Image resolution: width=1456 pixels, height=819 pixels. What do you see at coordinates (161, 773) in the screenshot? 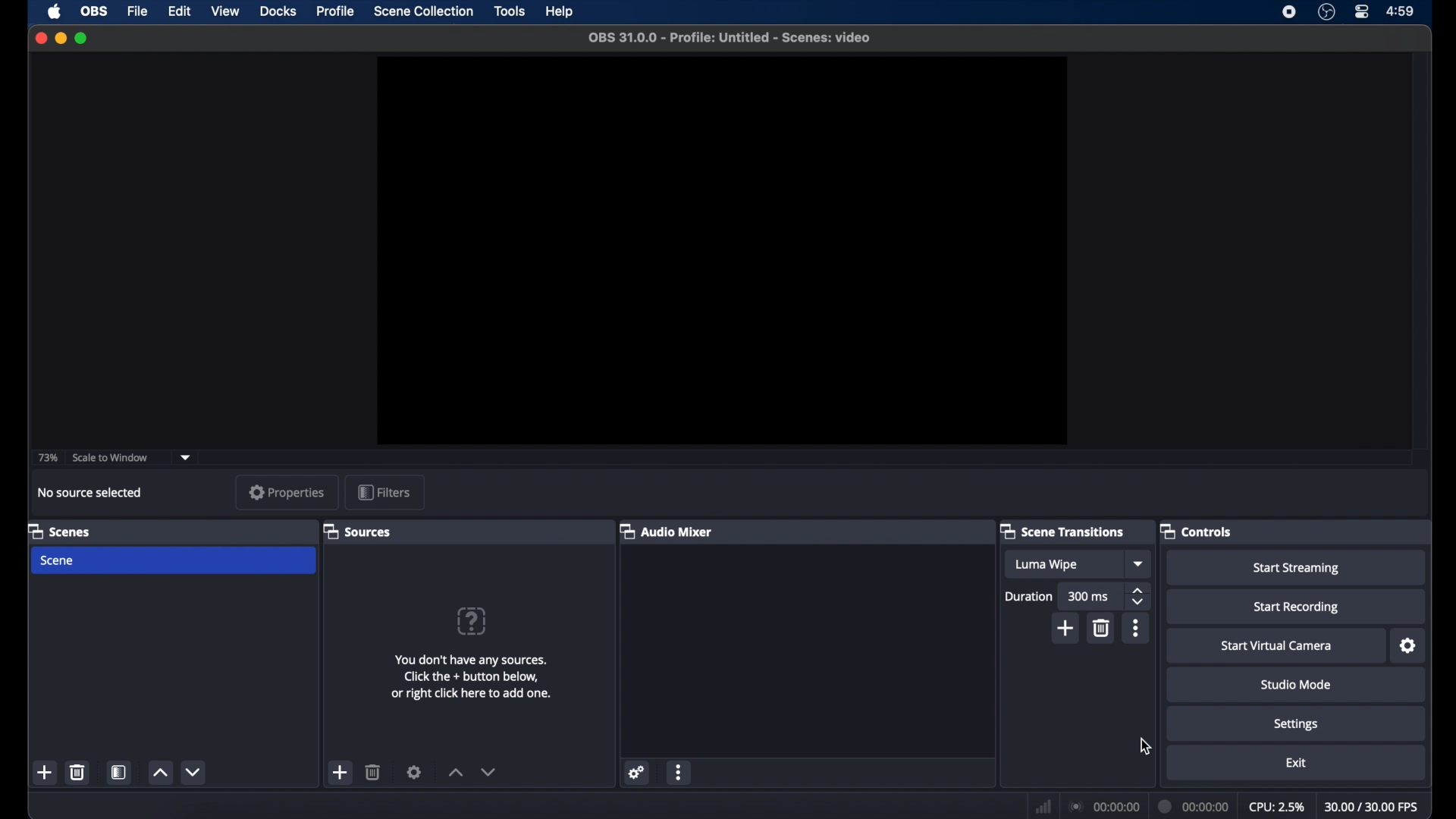
I see `increment` at bounding box center [161, 773].